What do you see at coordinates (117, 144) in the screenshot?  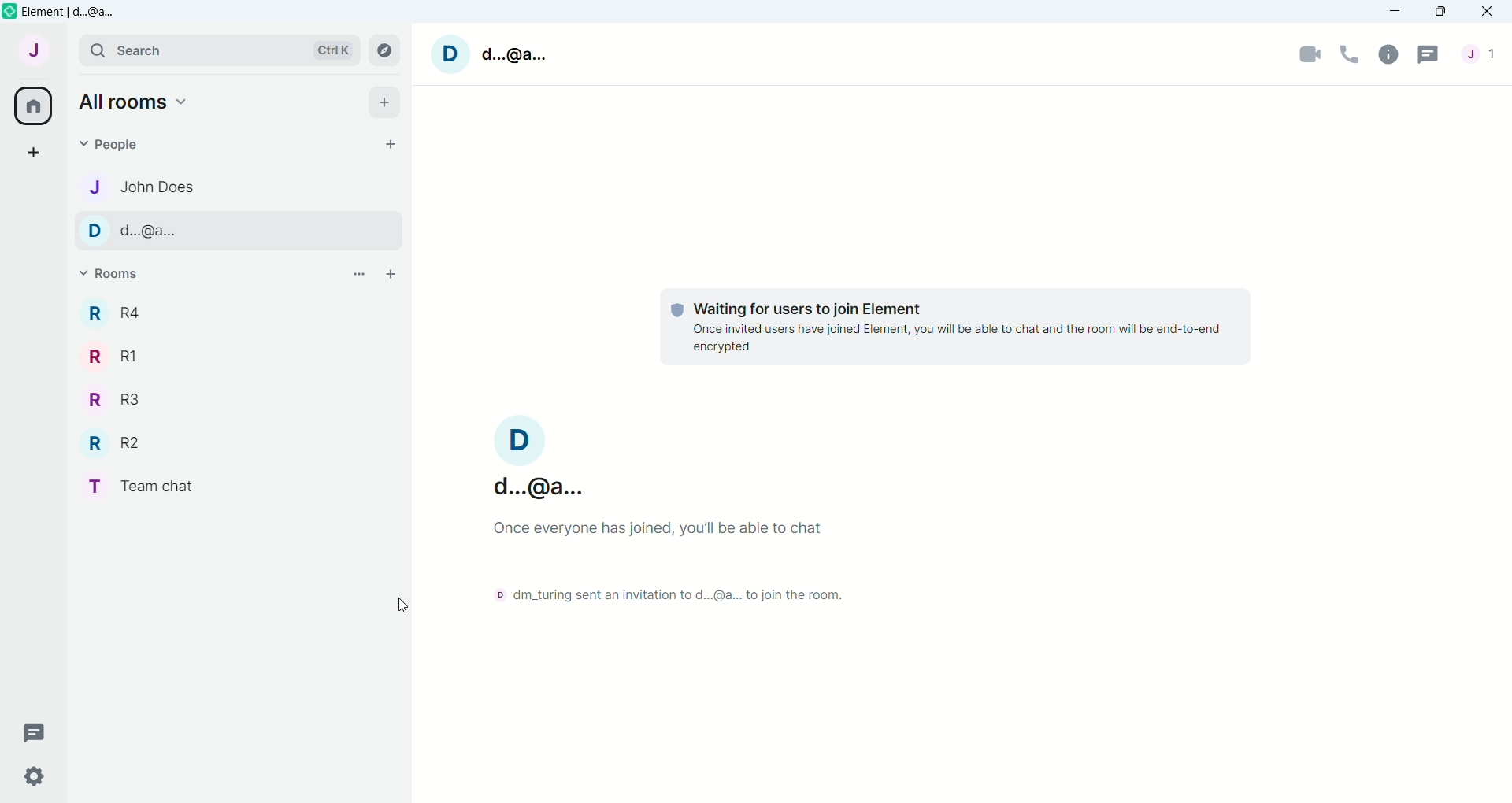 I see `People` at bounding box center [117, 144].